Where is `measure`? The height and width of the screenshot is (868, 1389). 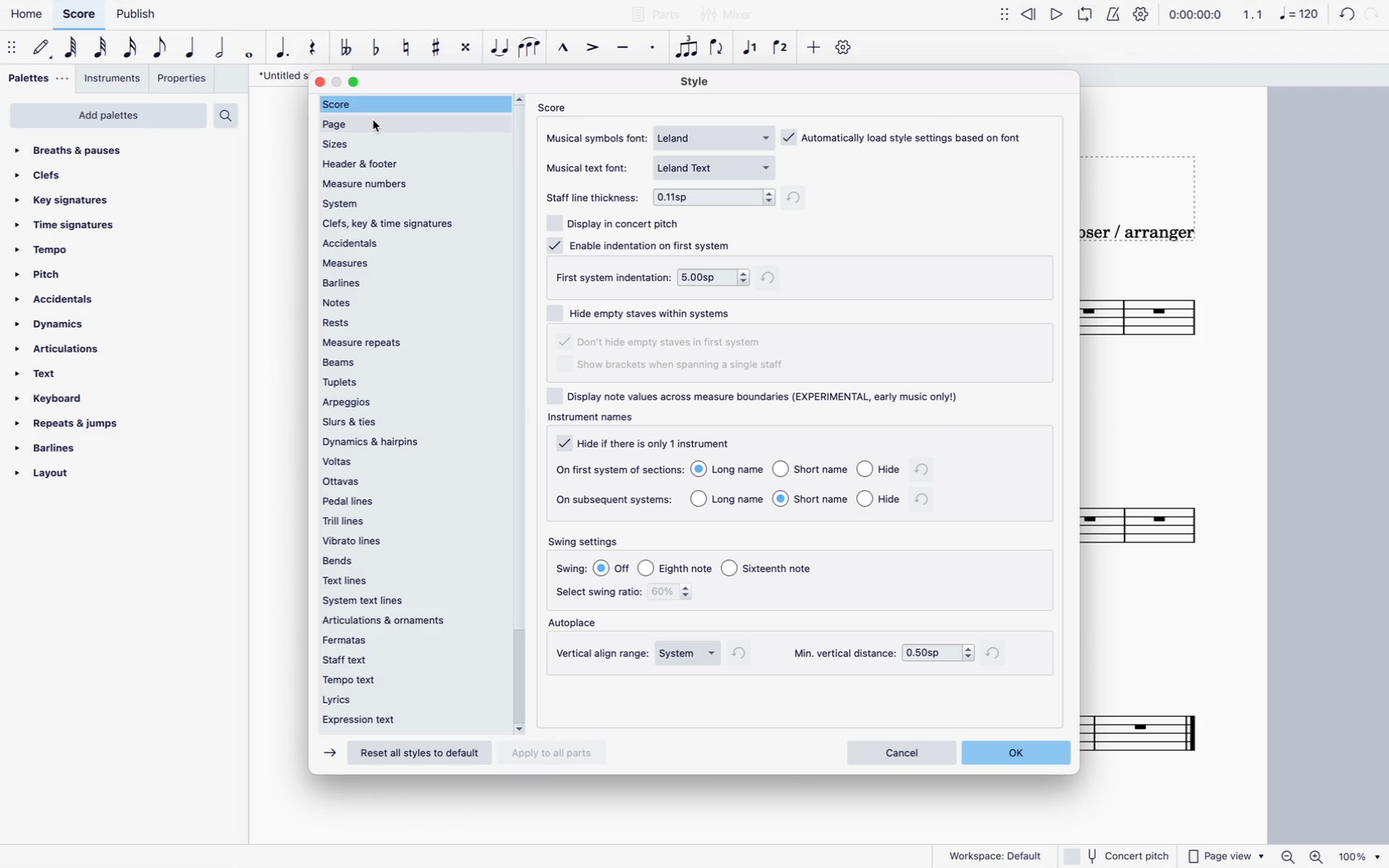
measure is located at coordinates (413, 260).